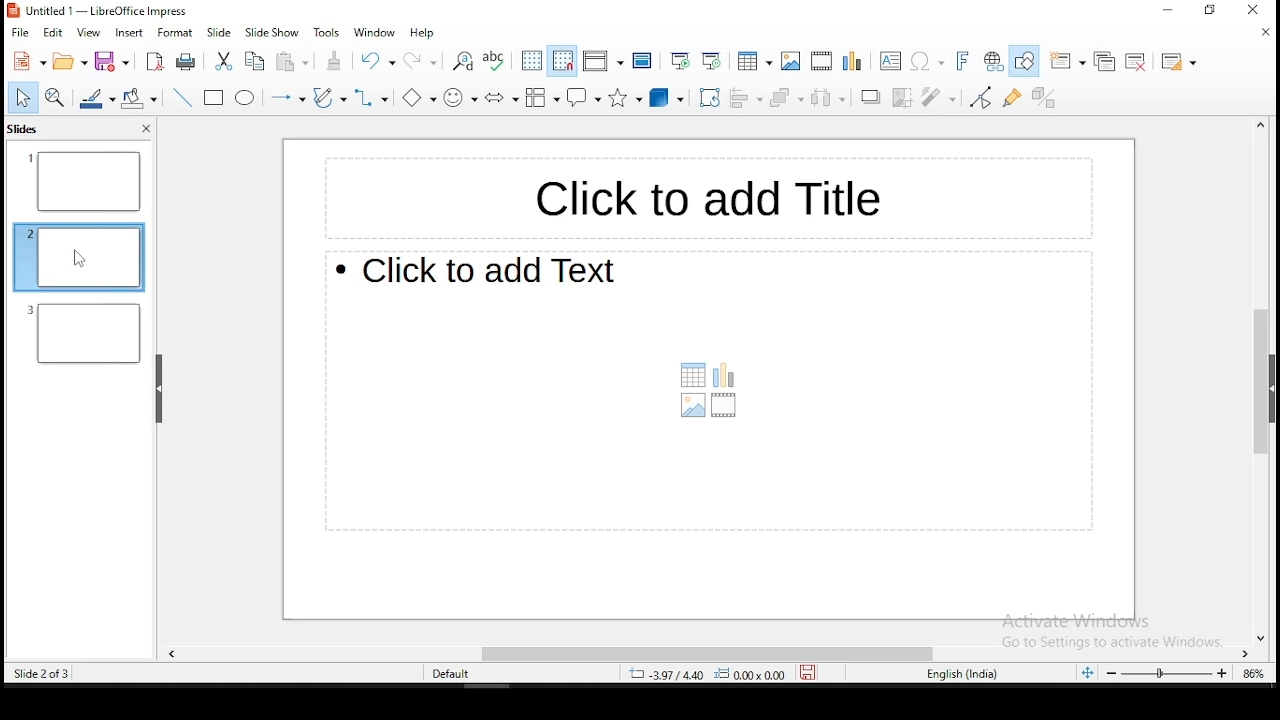  Describe the element at coordinates (964, 60) in the screenshot. I see `insert fontwork text` at that location.